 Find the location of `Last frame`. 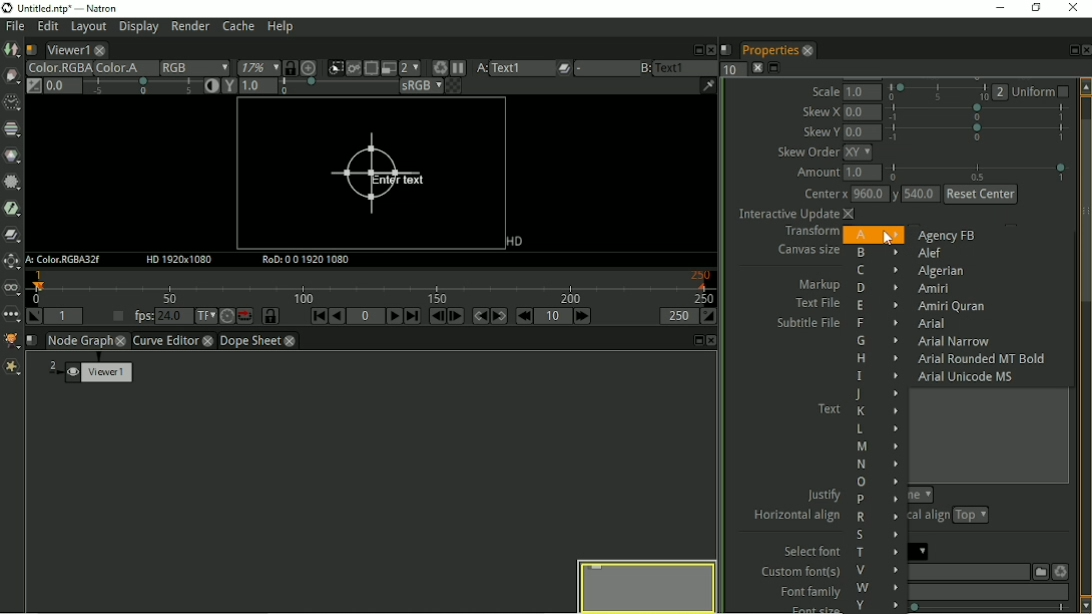

Last frame is located at coordinates (412, 316).